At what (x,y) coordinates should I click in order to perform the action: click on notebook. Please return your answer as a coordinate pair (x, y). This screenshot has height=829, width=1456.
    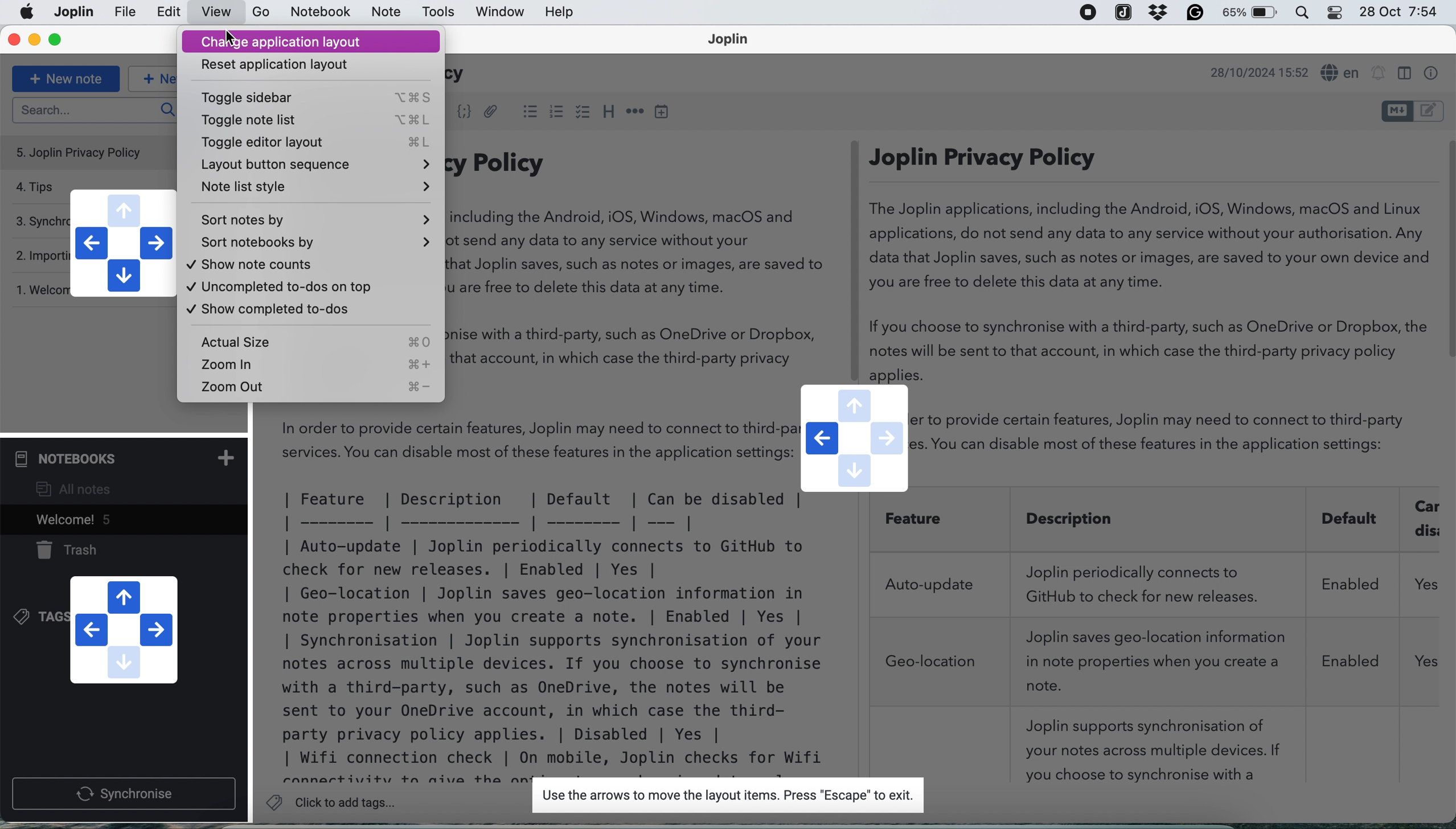
    Looking at the image, I should click on (323, 13).